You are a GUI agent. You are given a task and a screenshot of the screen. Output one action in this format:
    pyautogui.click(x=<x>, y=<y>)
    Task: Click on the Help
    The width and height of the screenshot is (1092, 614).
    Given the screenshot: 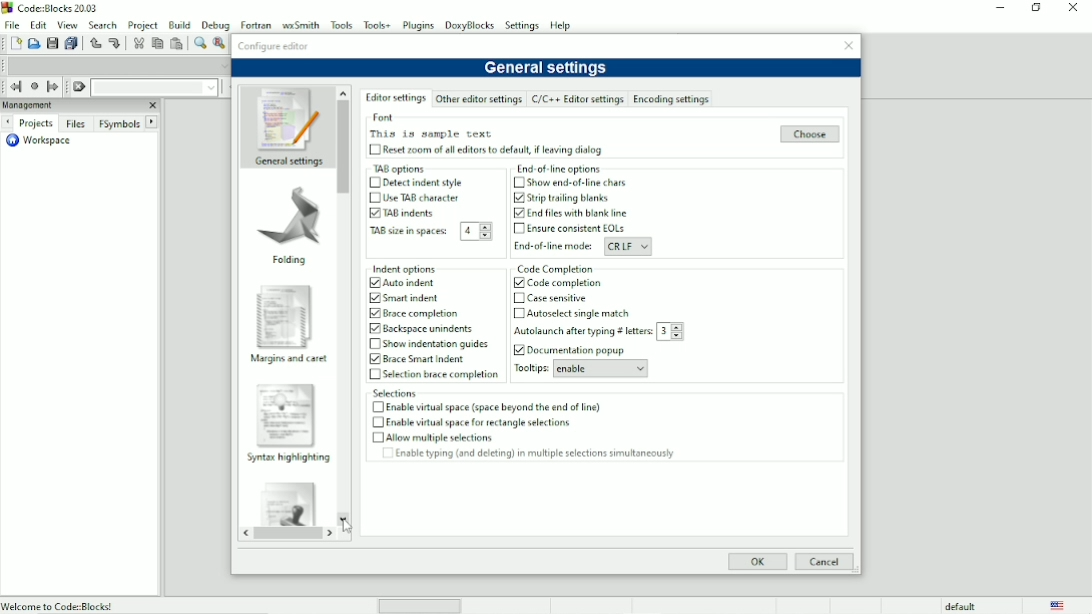 What is the action you would take?
    pyautogui.click(x=562, y=25)
    